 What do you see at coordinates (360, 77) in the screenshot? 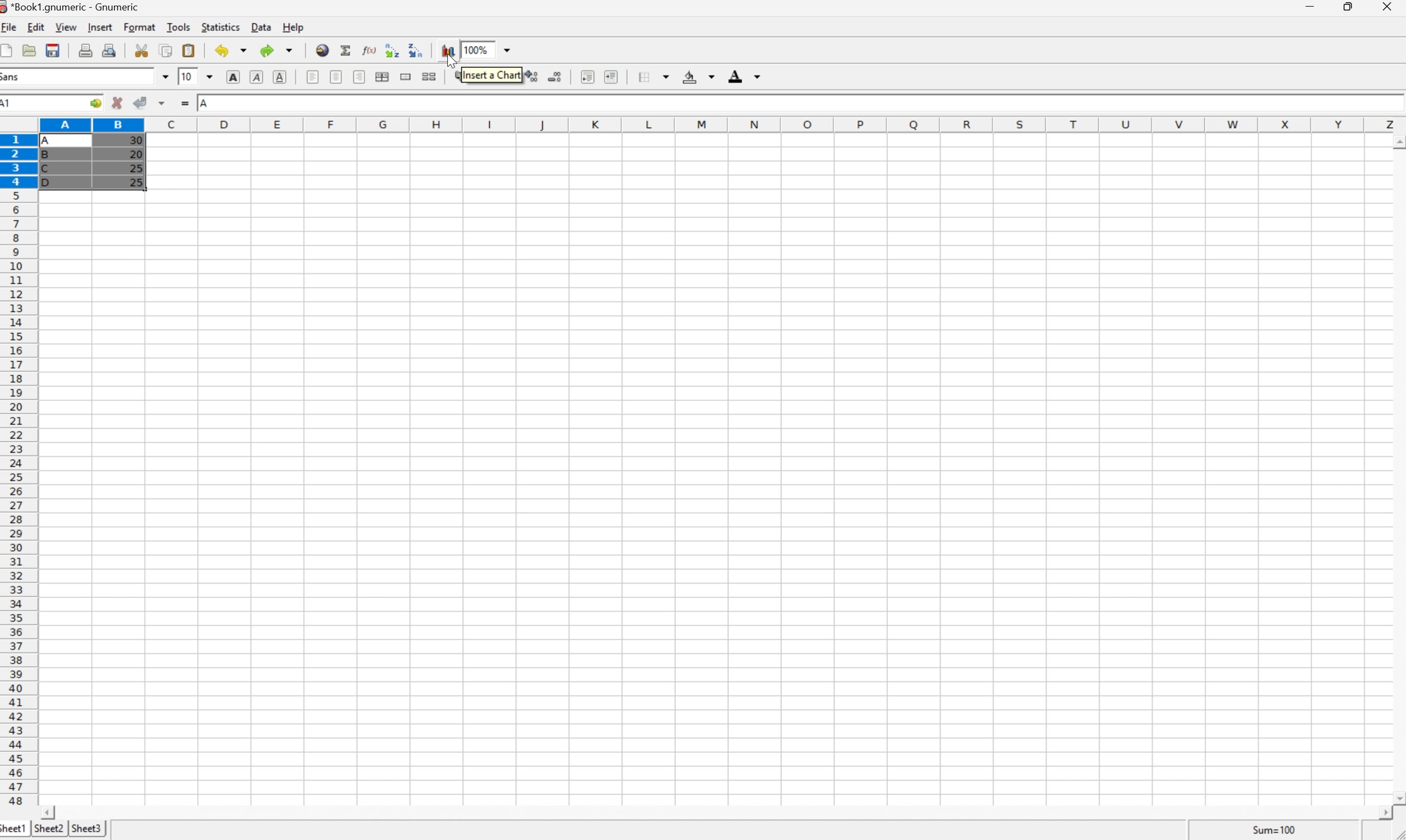
I see `Align Right` at bounding box center [360, 77].